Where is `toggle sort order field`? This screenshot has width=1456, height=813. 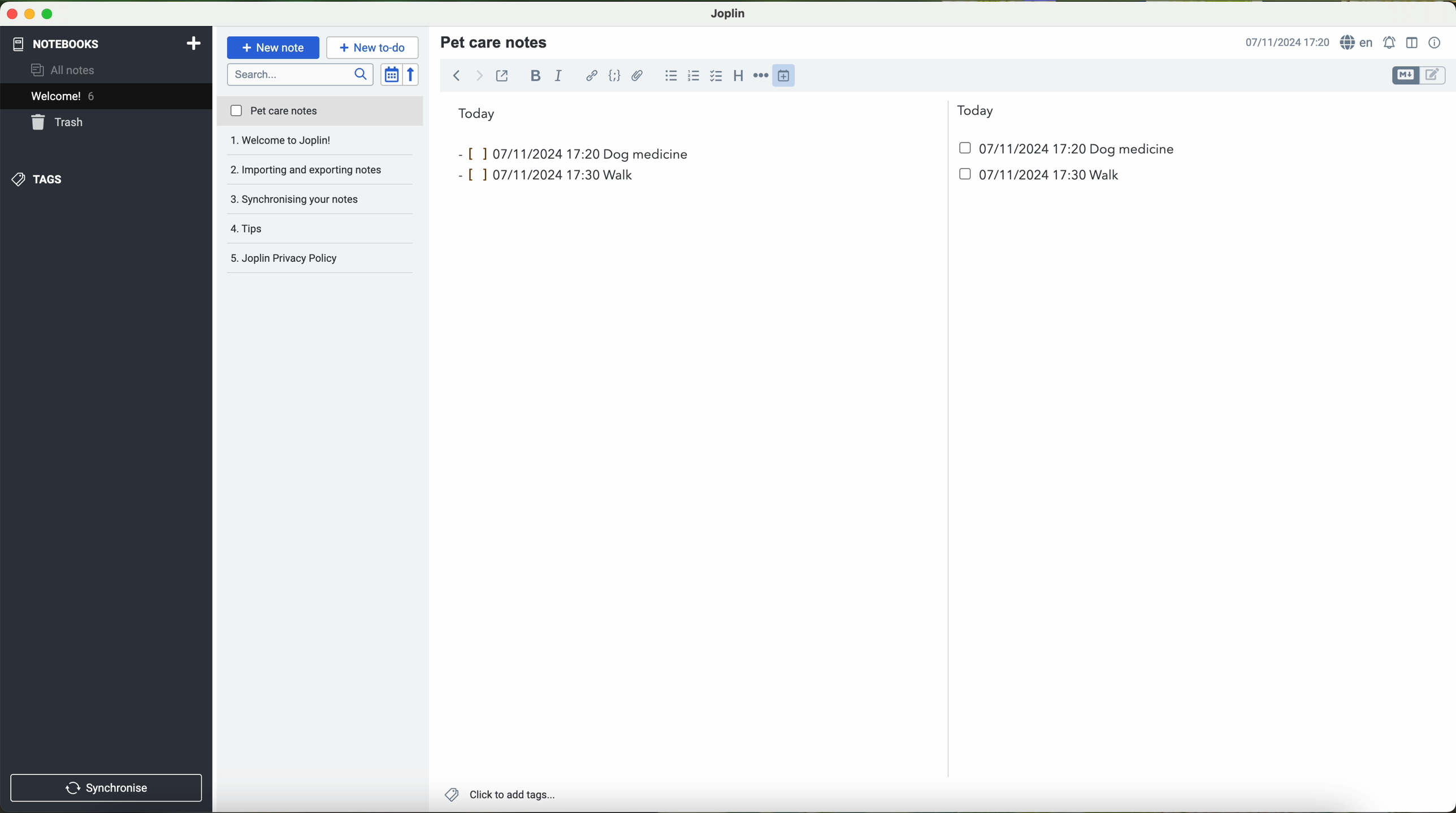 toggle sort order field is located at coordinates (392, 75).